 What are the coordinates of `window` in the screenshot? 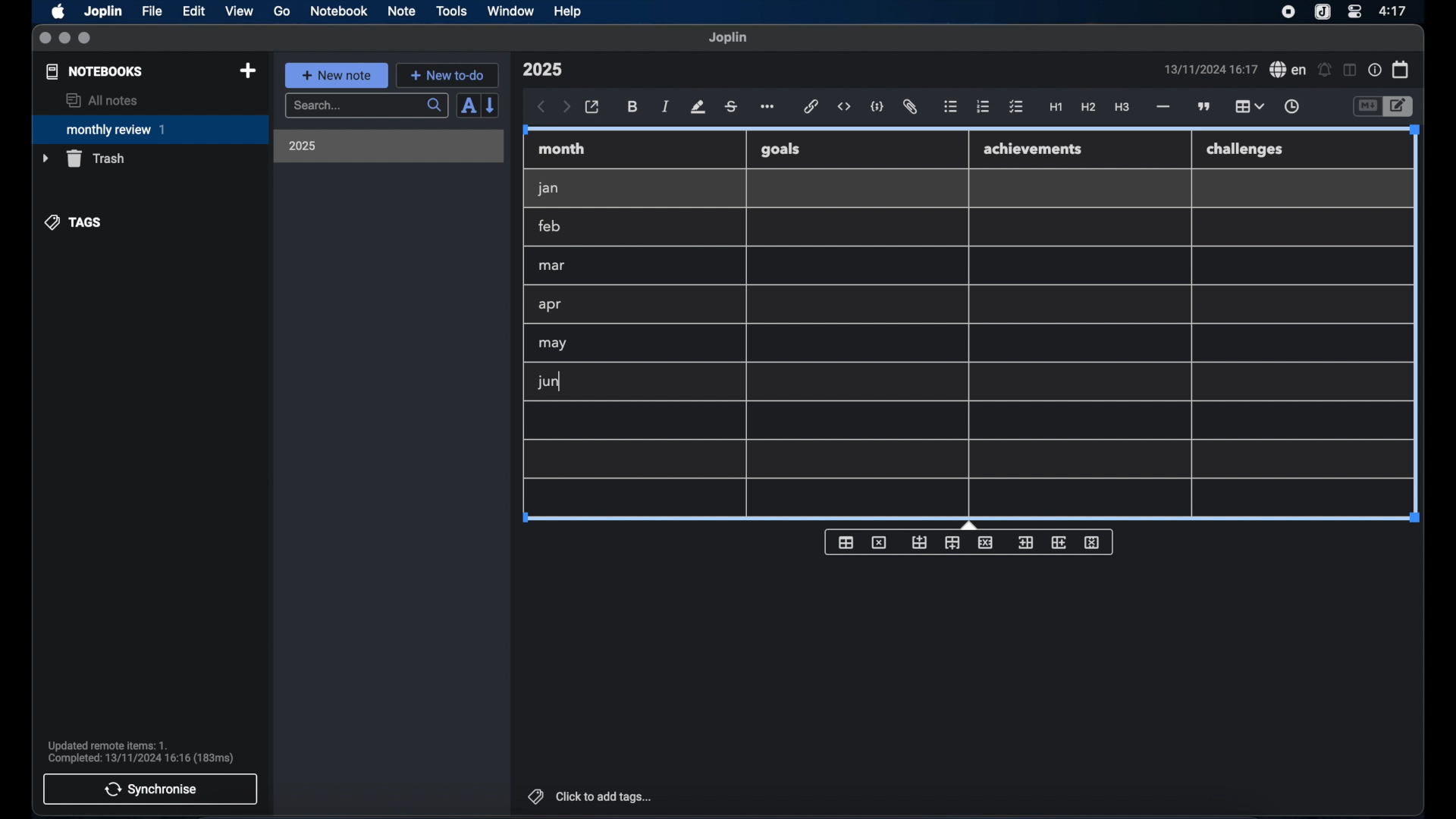 It's located at (511, 11).